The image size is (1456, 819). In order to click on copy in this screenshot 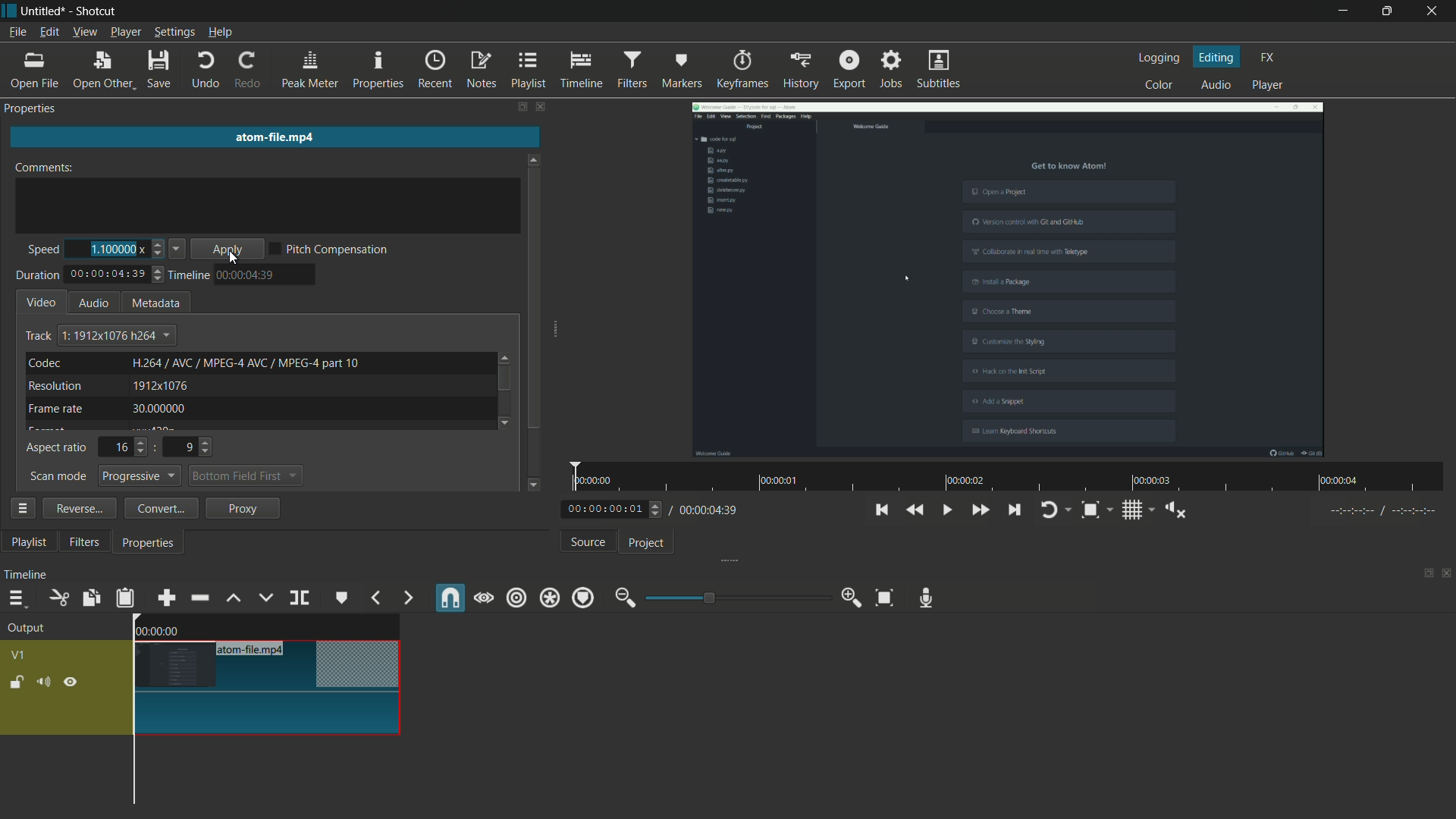, I will do `click(90, 598)`.